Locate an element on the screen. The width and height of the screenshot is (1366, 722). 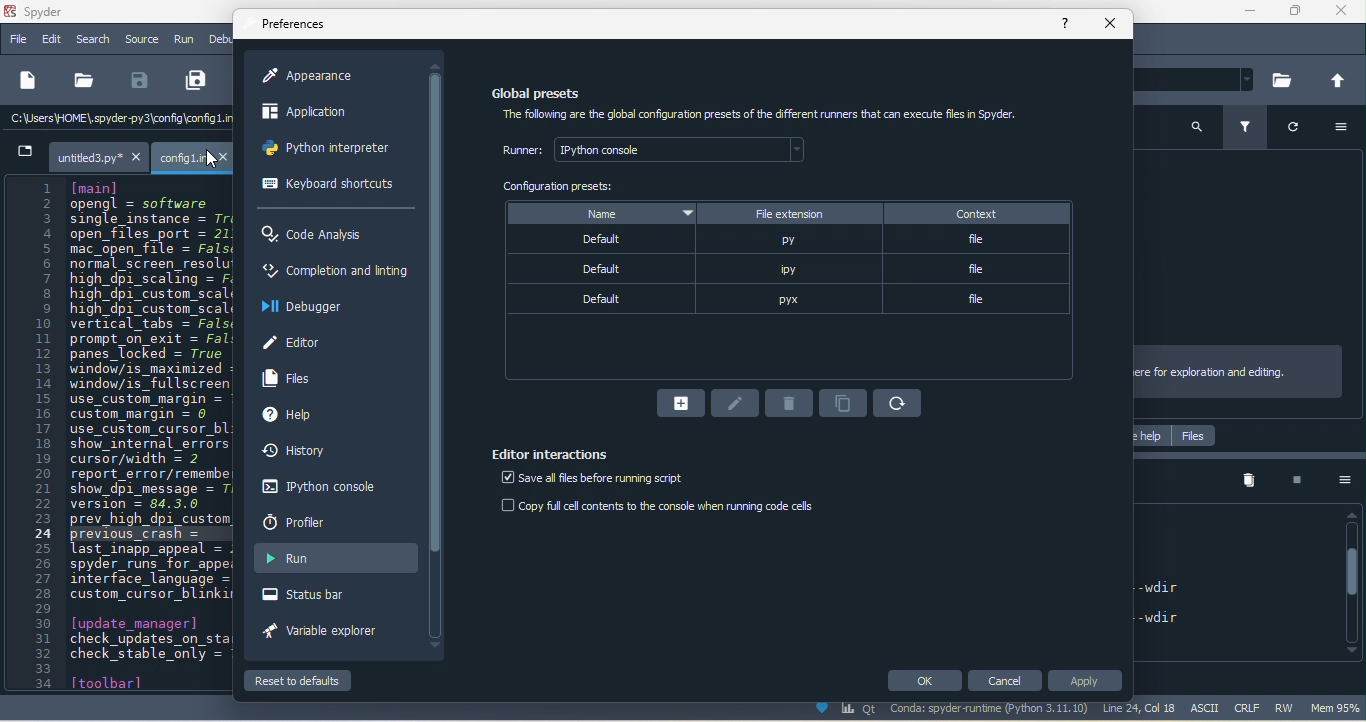
help is located at coordinates (293, 412).